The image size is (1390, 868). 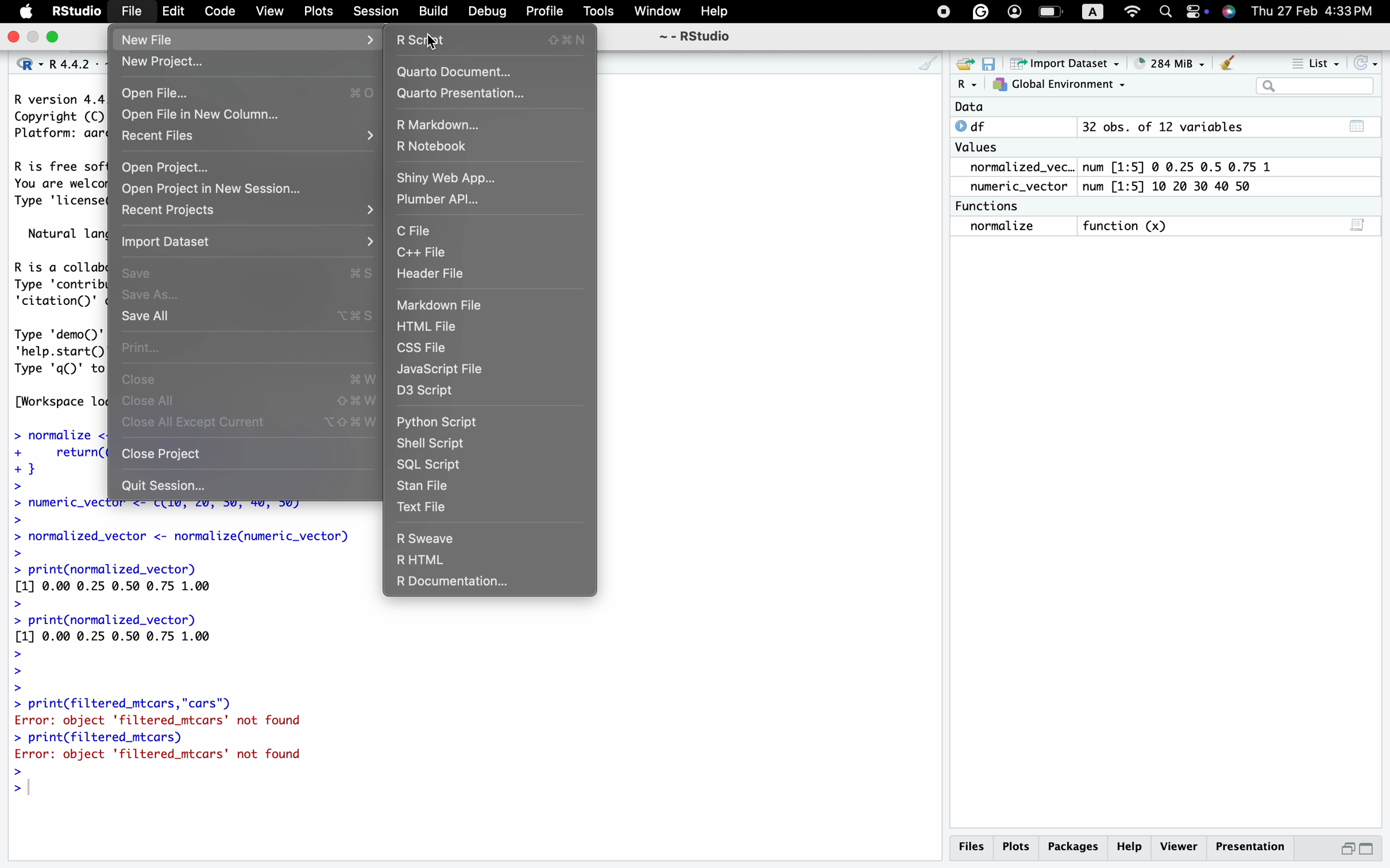 What do you see at coordinates (176, 210) in the screenshot?
I see `Recent Projects` at bounding box center [176, 210].